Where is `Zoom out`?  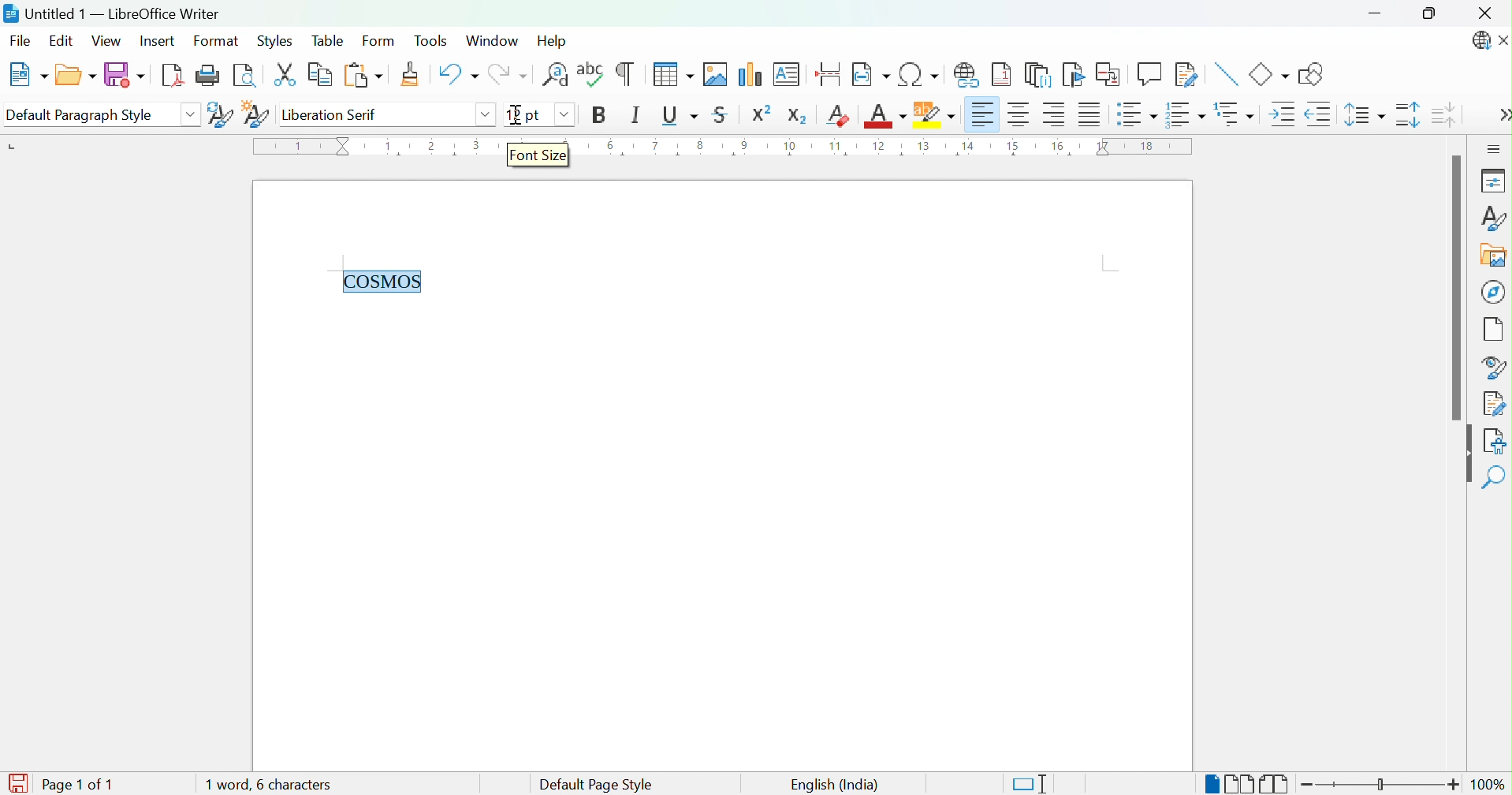
Zoom out is located at coordinates (1313, 787).